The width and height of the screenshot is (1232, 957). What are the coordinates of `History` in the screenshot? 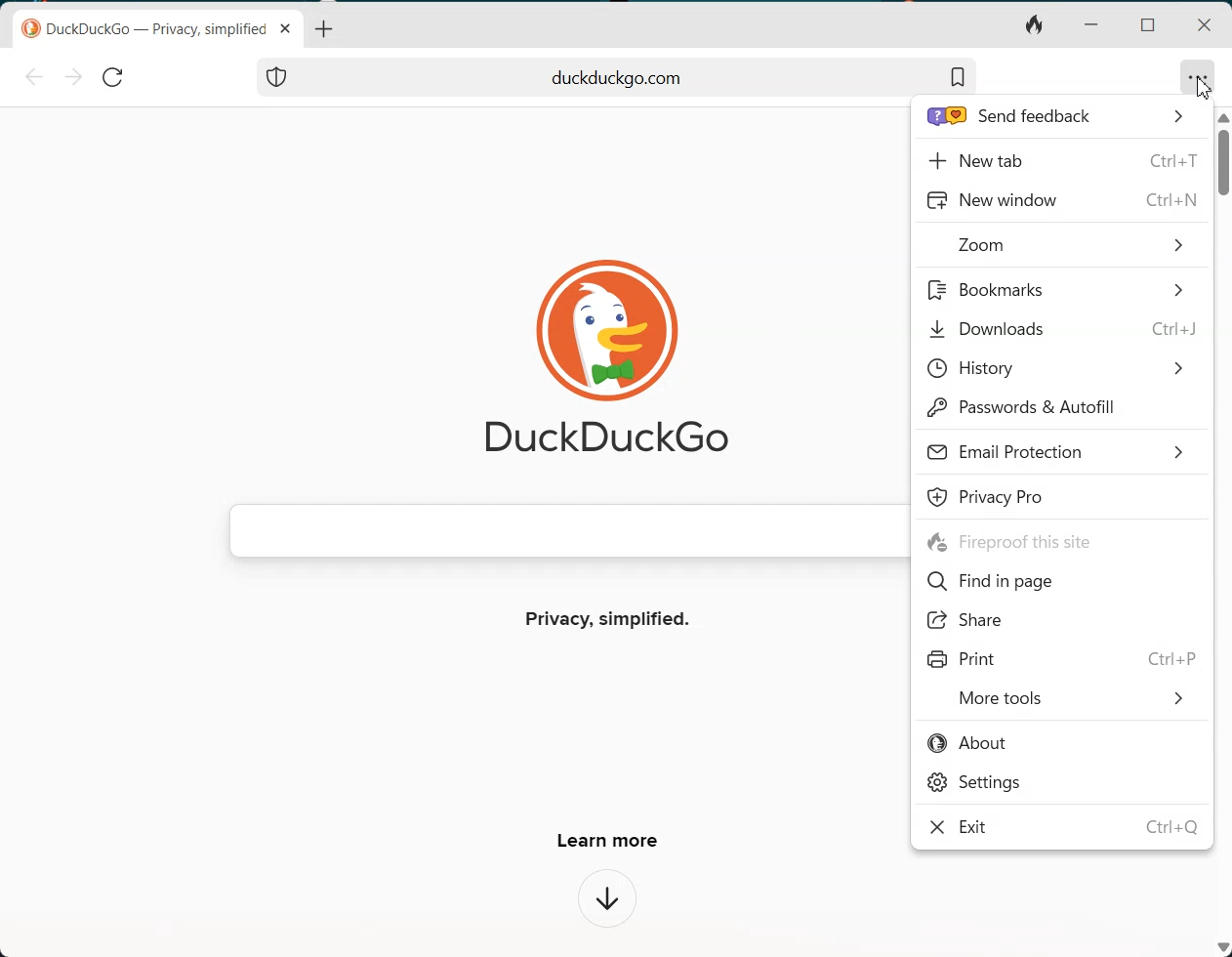 It's located at (1059, 369).